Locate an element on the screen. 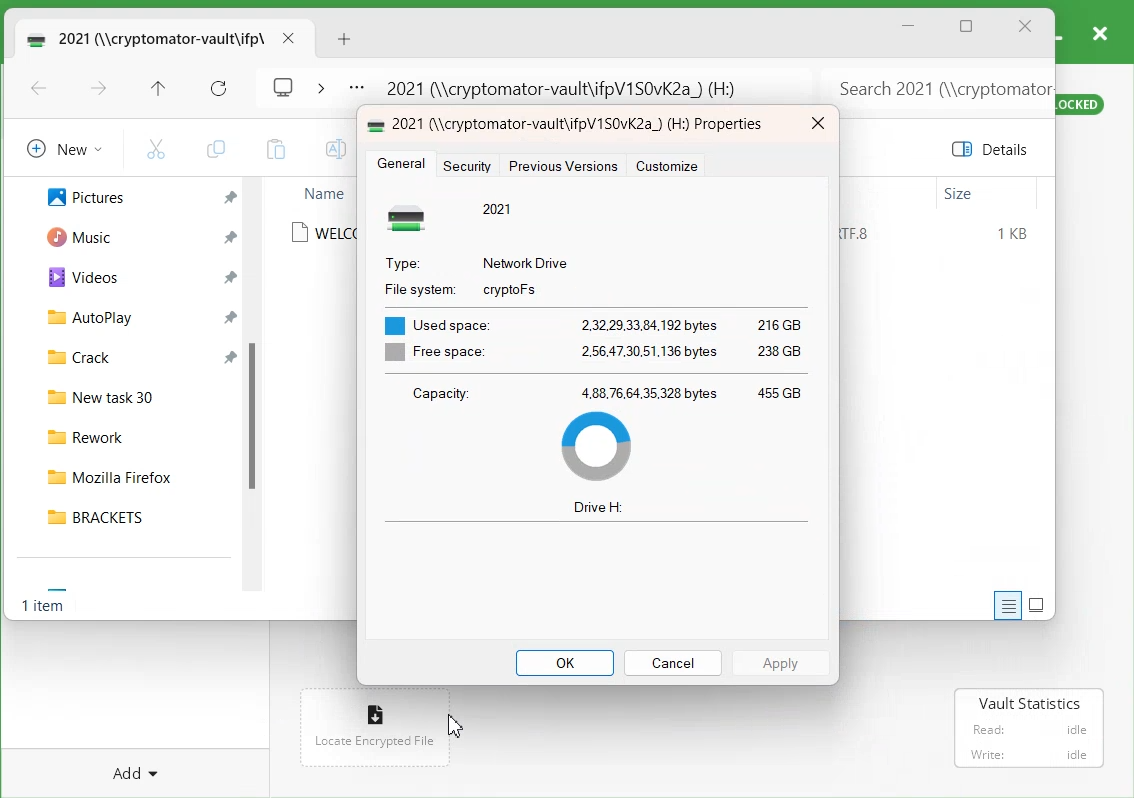 This screenshot has height=798, width=1134. Size is located at coordinates (959, 194).